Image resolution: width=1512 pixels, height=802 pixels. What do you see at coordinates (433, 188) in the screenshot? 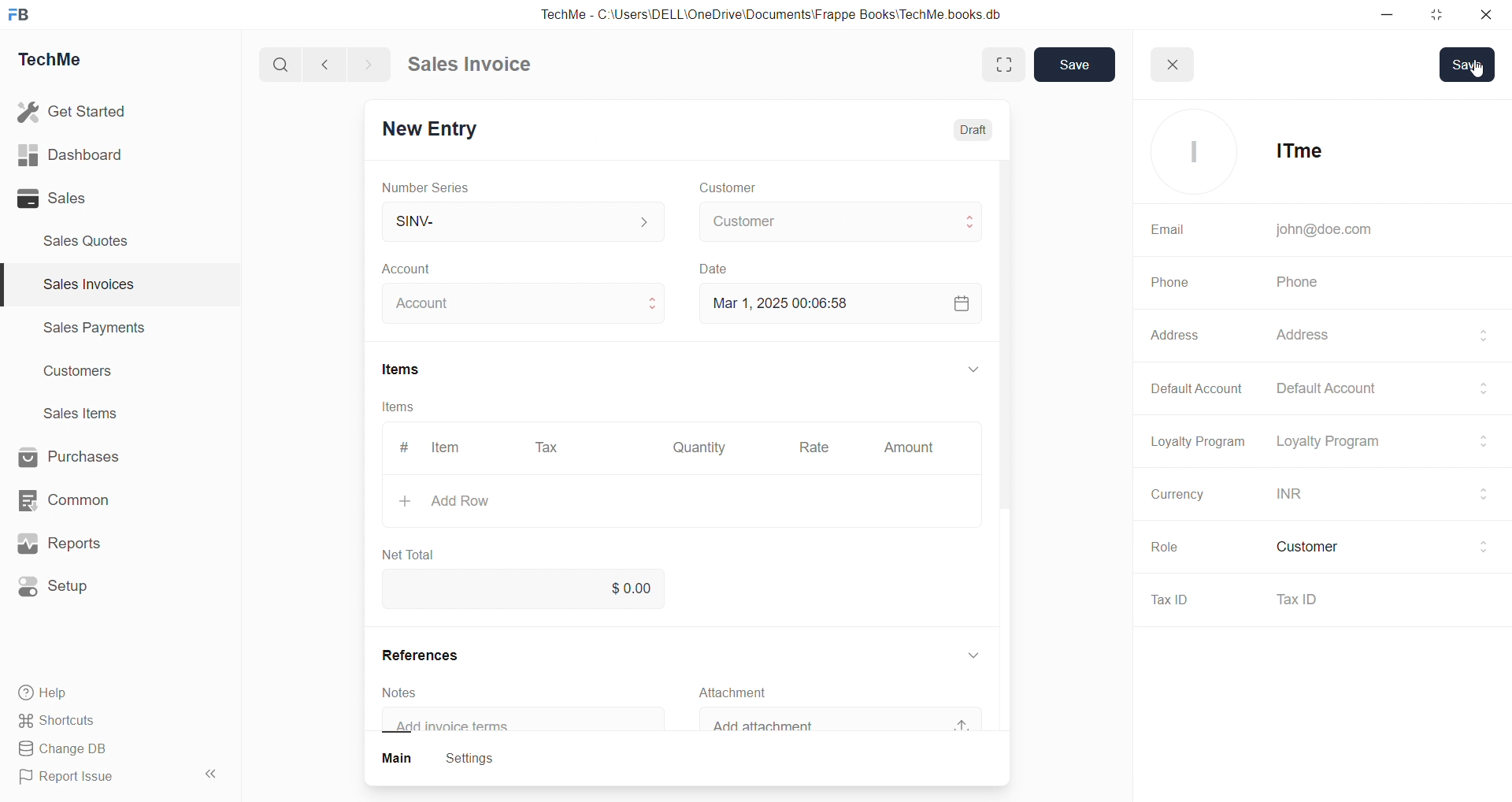
I see `Number Series` at bounding box center [433, 188].